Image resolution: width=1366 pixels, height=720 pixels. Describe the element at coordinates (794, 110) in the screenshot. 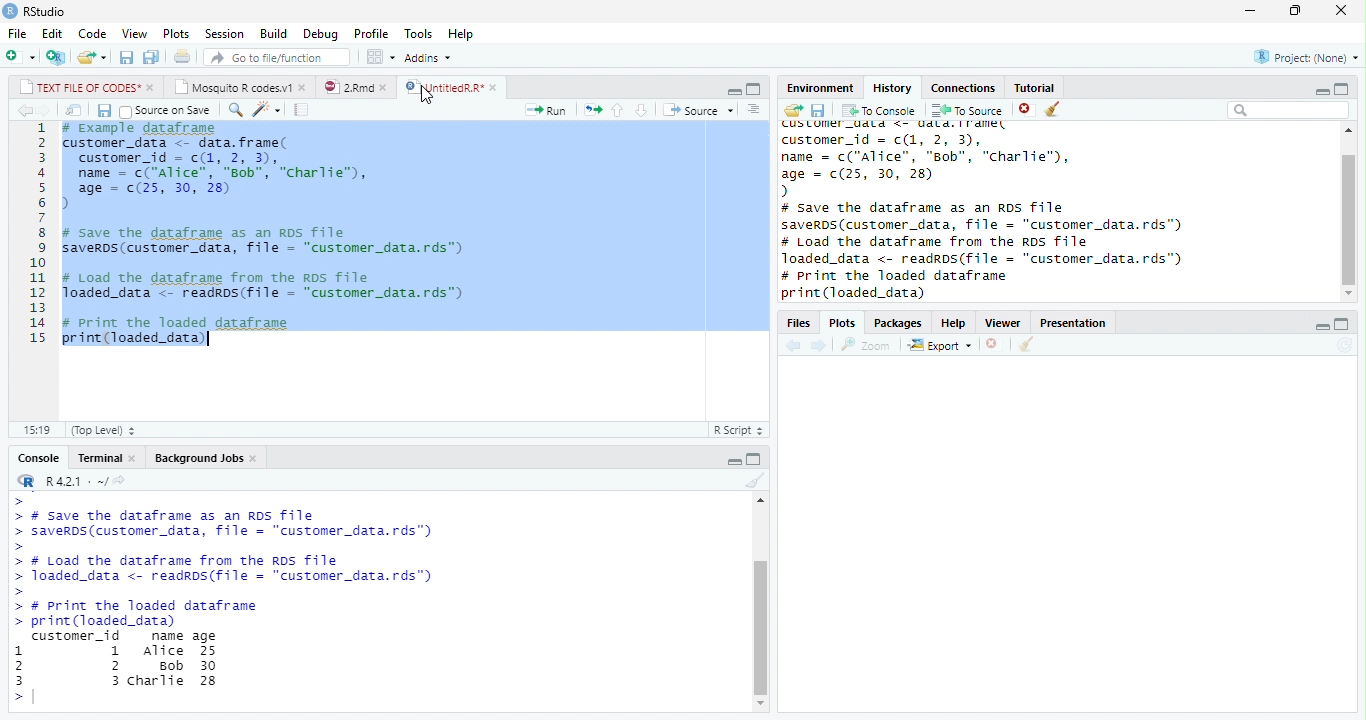

I see `open folder` at that location.